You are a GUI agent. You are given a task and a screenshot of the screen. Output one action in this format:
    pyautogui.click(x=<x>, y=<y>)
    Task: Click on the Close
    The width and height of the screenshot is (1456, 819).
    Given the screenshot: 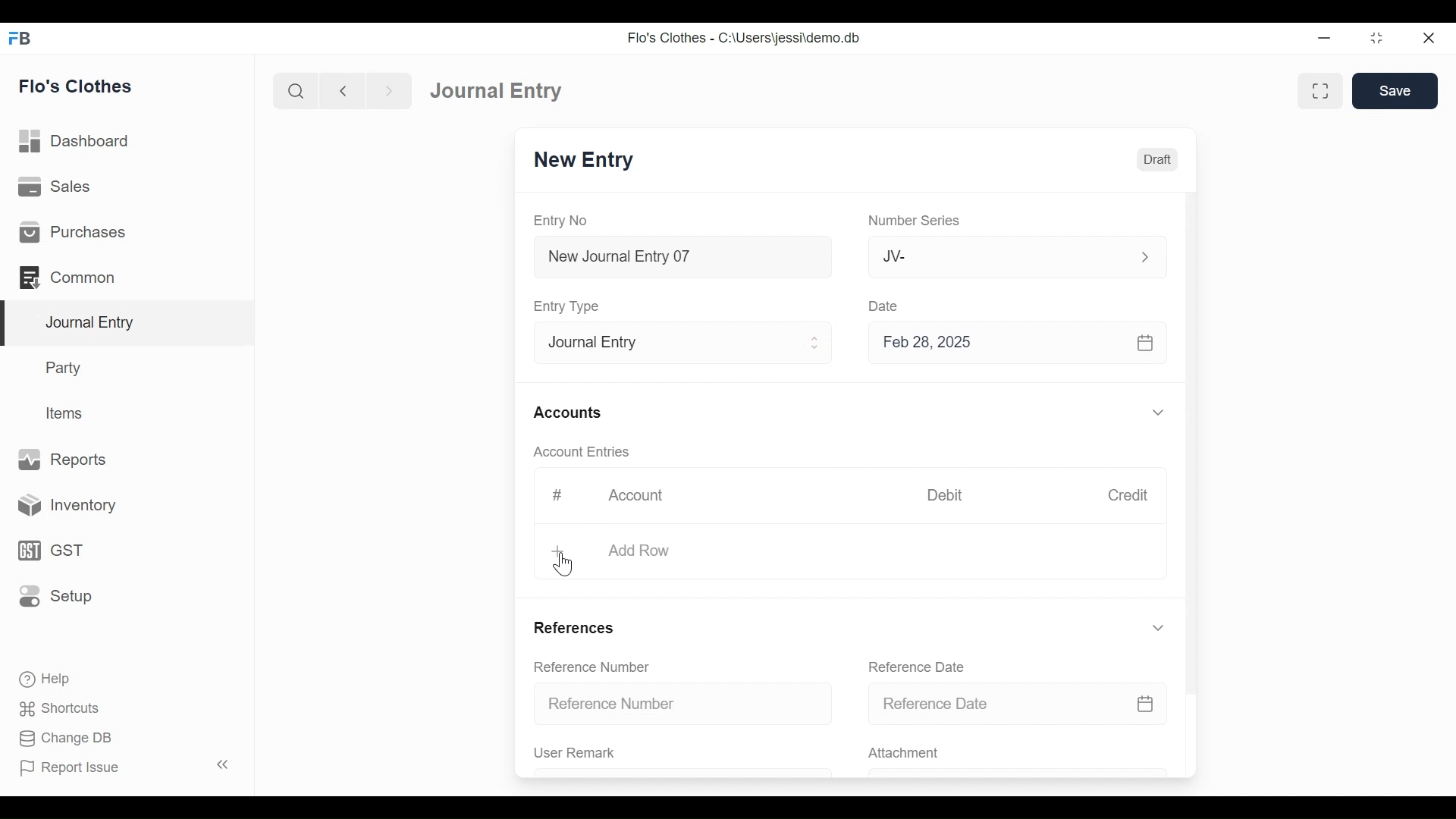 What is the action you would take?
    pyautogui.click(x=1429, y=39)
    